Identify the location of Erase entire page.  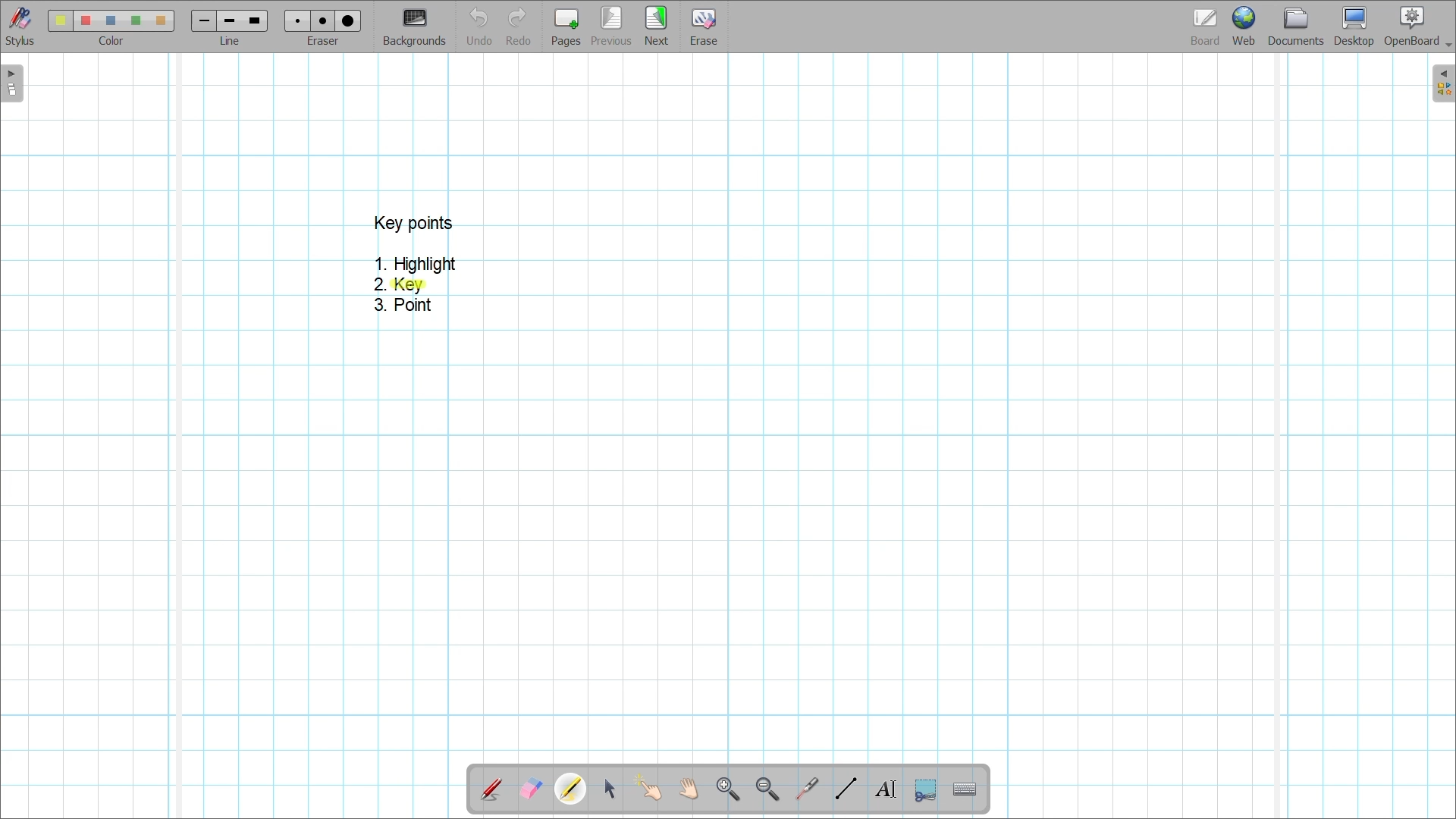
(703, 27).